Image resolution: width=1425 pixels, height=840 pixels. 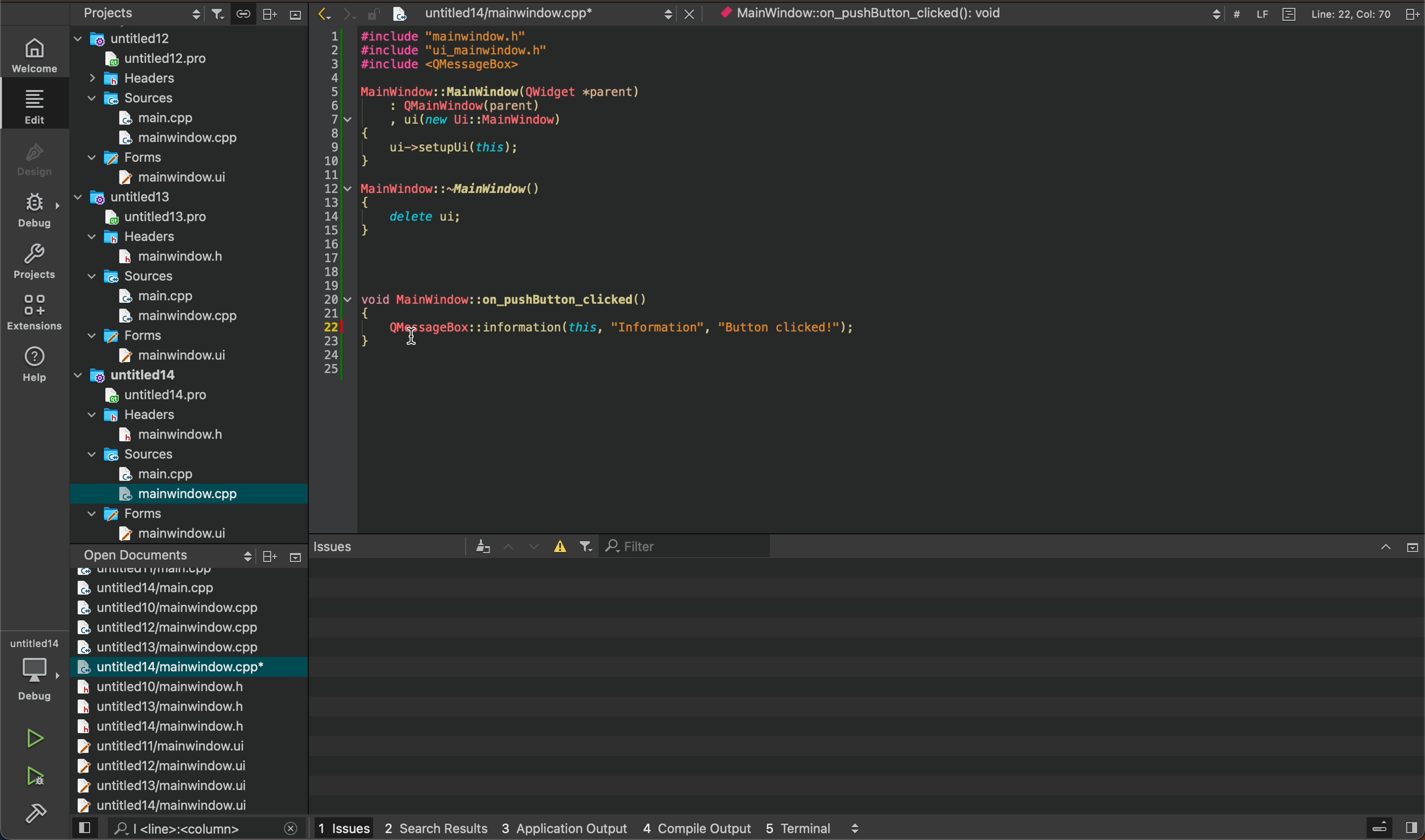 I want to click on main window, so click(x=166, y=357).